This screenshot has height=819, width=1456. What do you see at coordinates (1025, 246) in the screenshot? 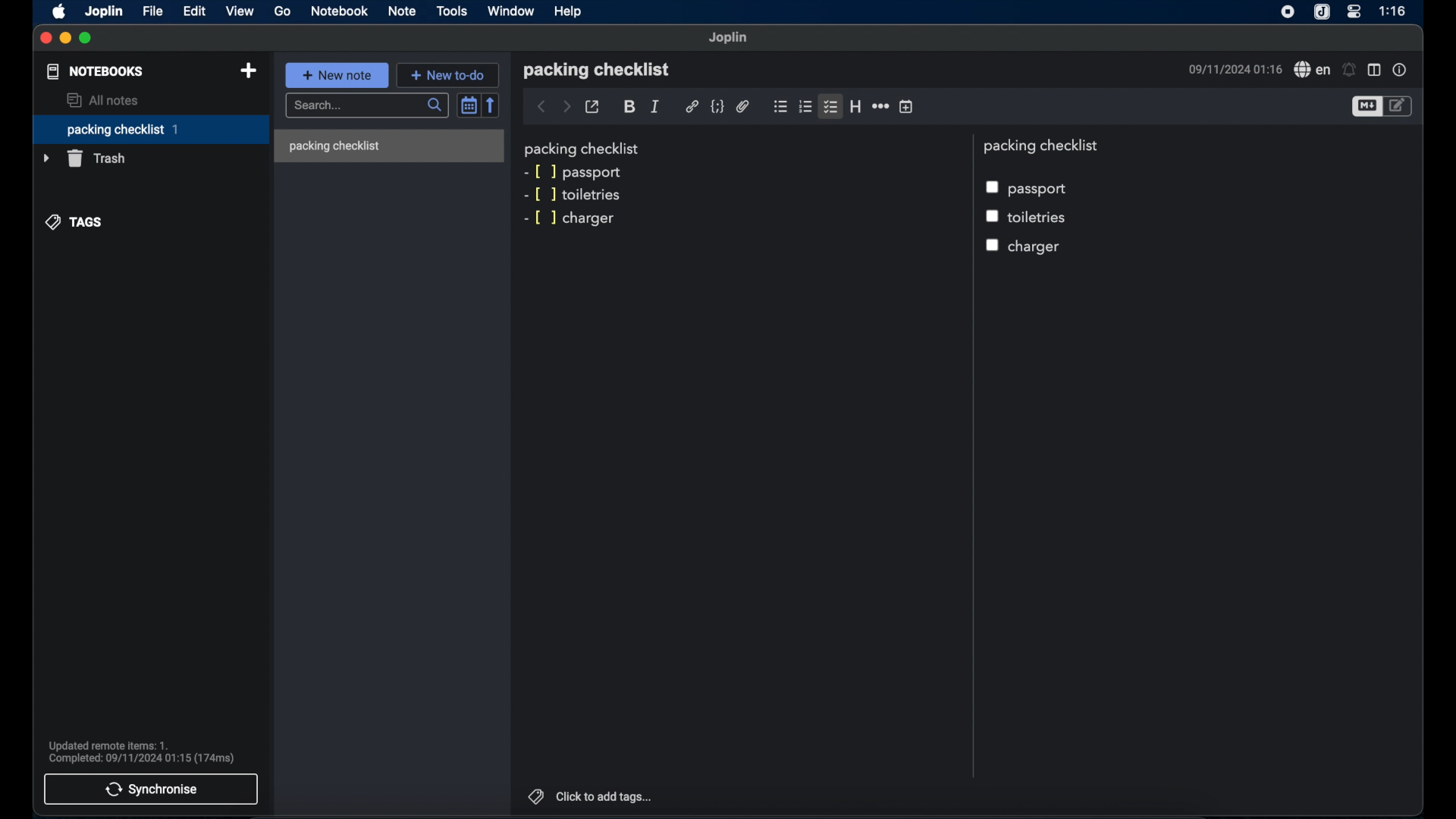
I see `chargercheckbox` at bounding box center [1025, 246].